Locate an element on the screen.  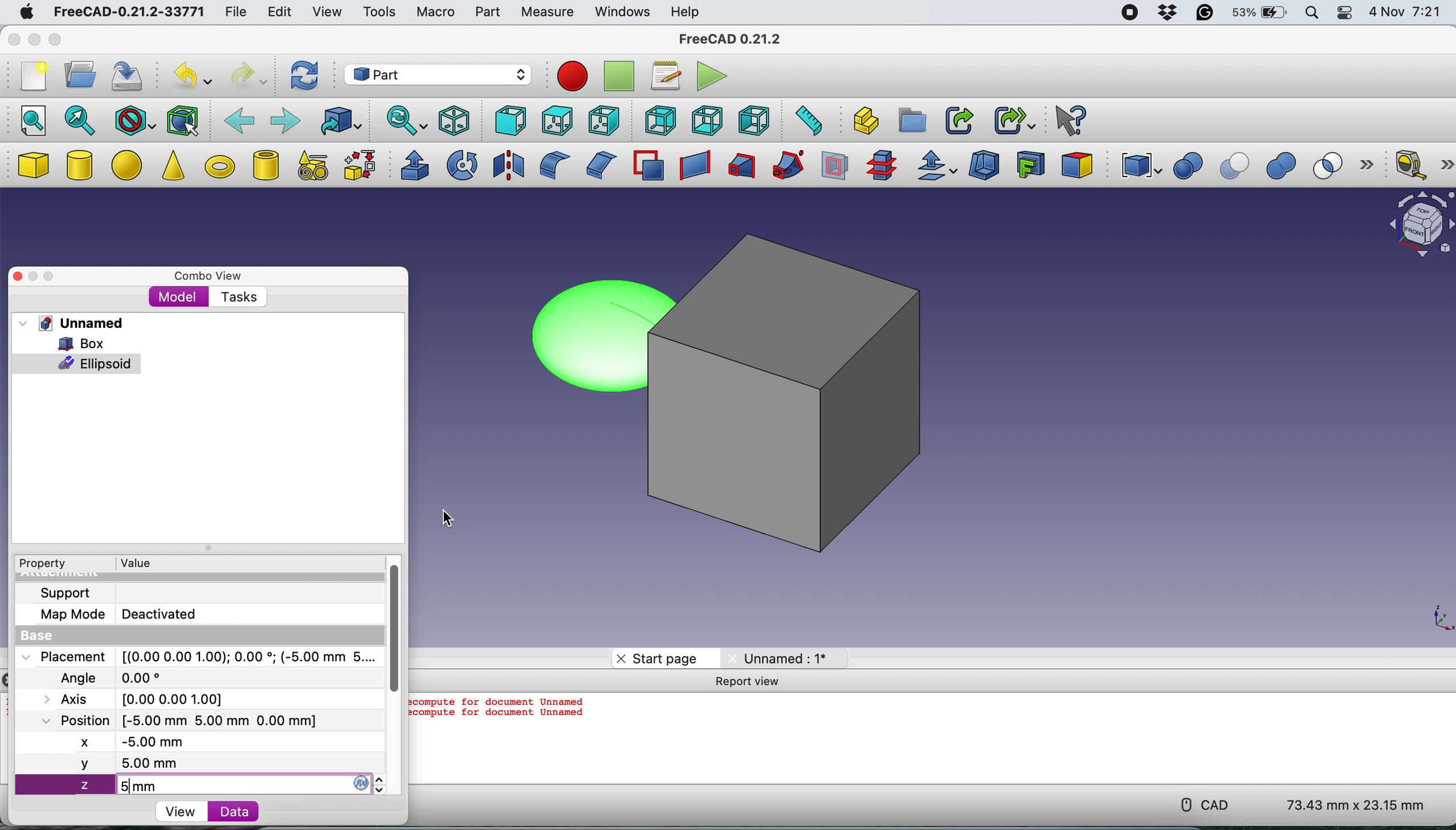
rear is located at coordinates (658, 120).